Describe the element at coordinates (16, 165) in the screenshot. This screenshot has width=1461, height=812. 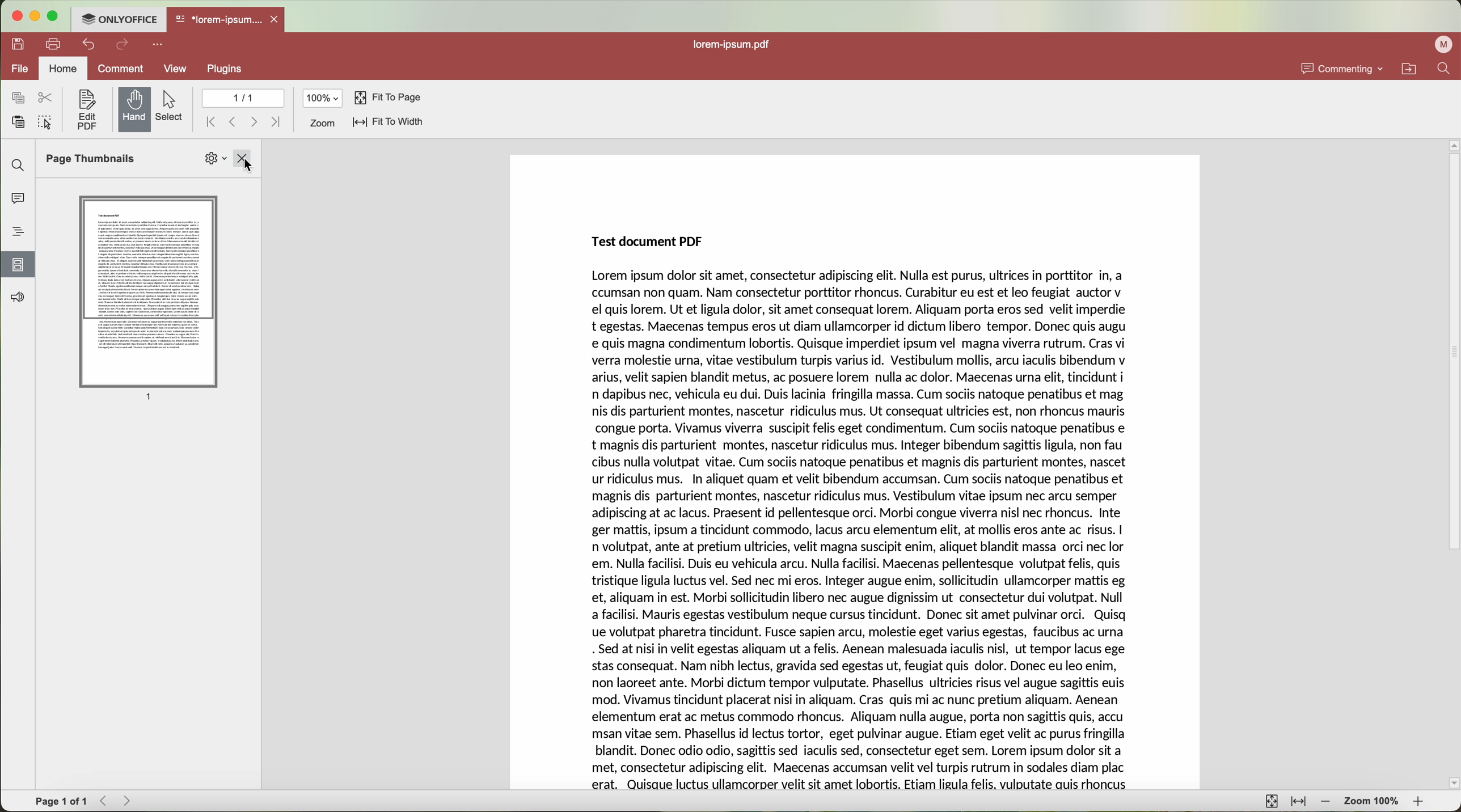
I see `find` at that location.